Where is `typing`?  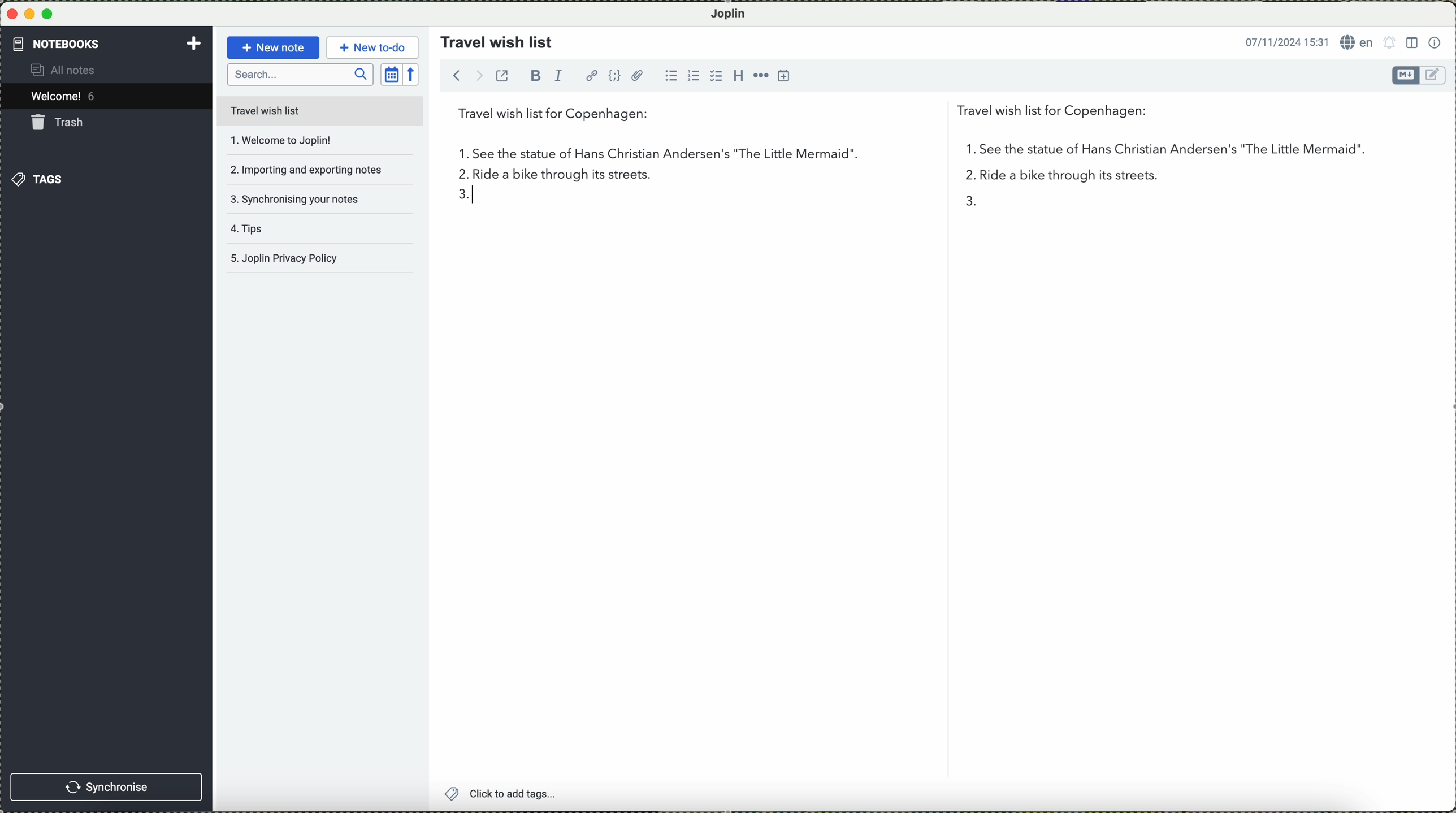 typing is located at coordinates (476, 197).